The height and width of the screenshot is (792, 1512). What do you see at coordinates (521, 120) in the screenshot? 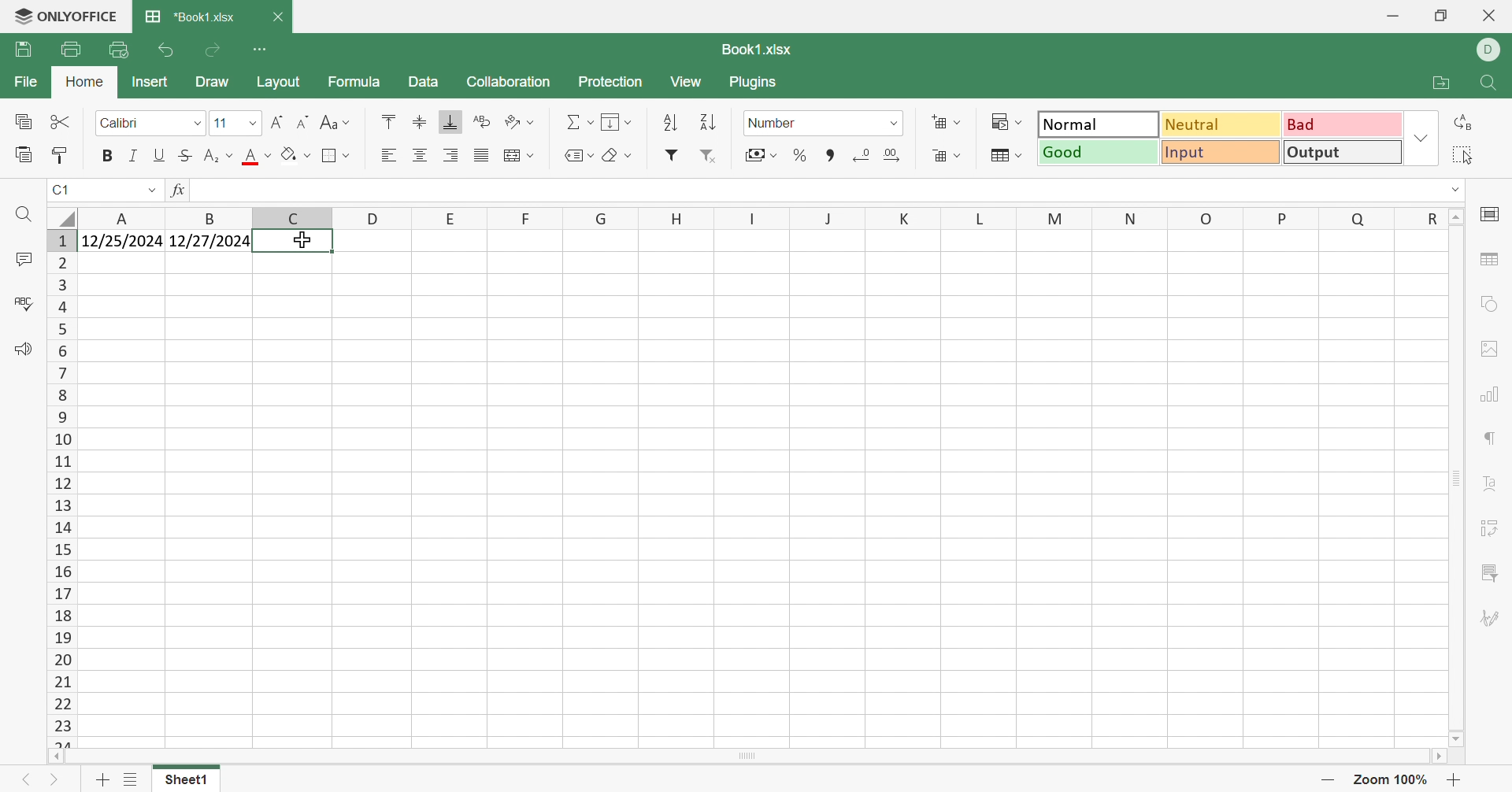
I see `Orientation` at bounding box center [521, 120].